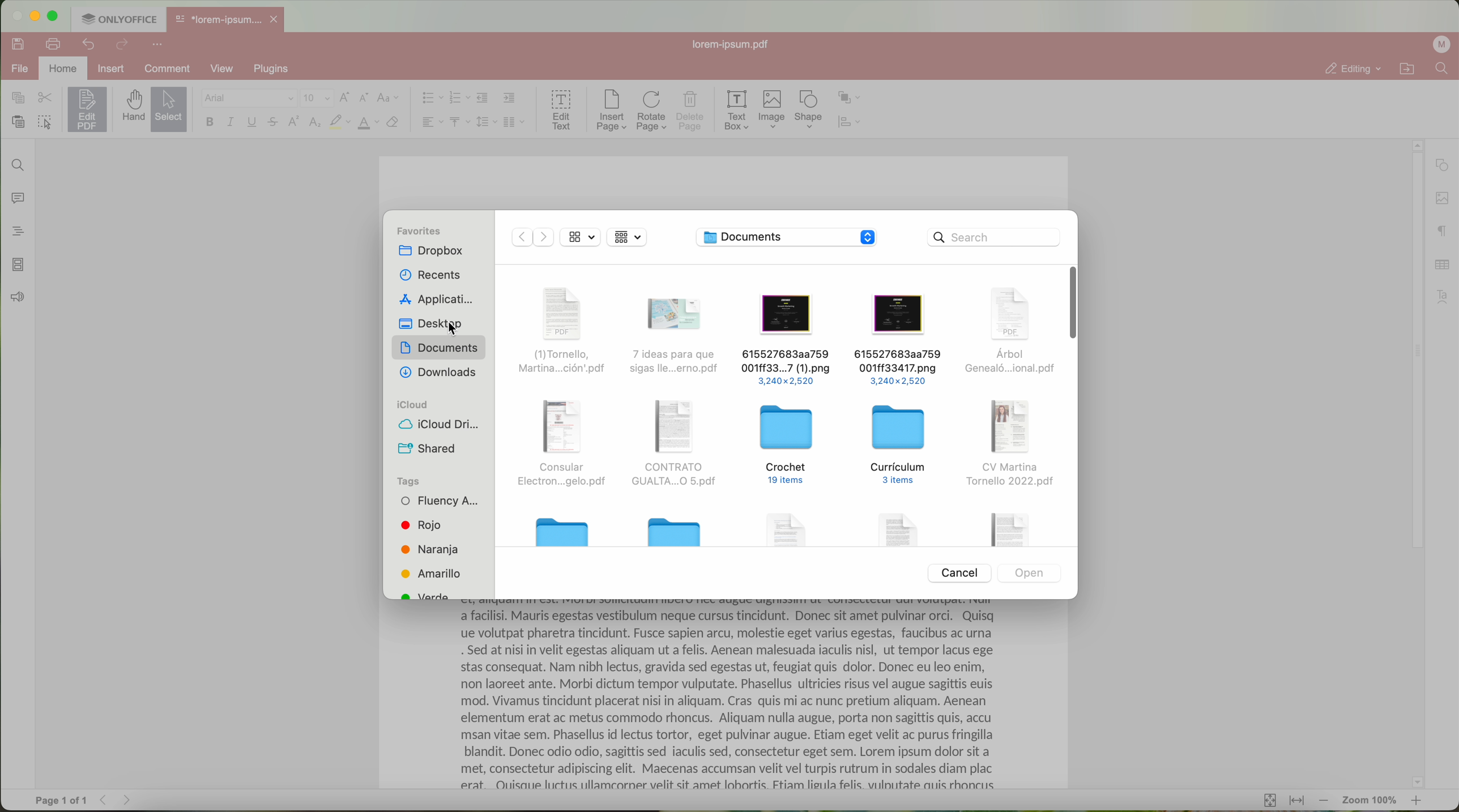 This screenshot has width=1459, height=812. Describe the element at coordinates (393, 123) in the screenshot. I see `clear style` at that location.